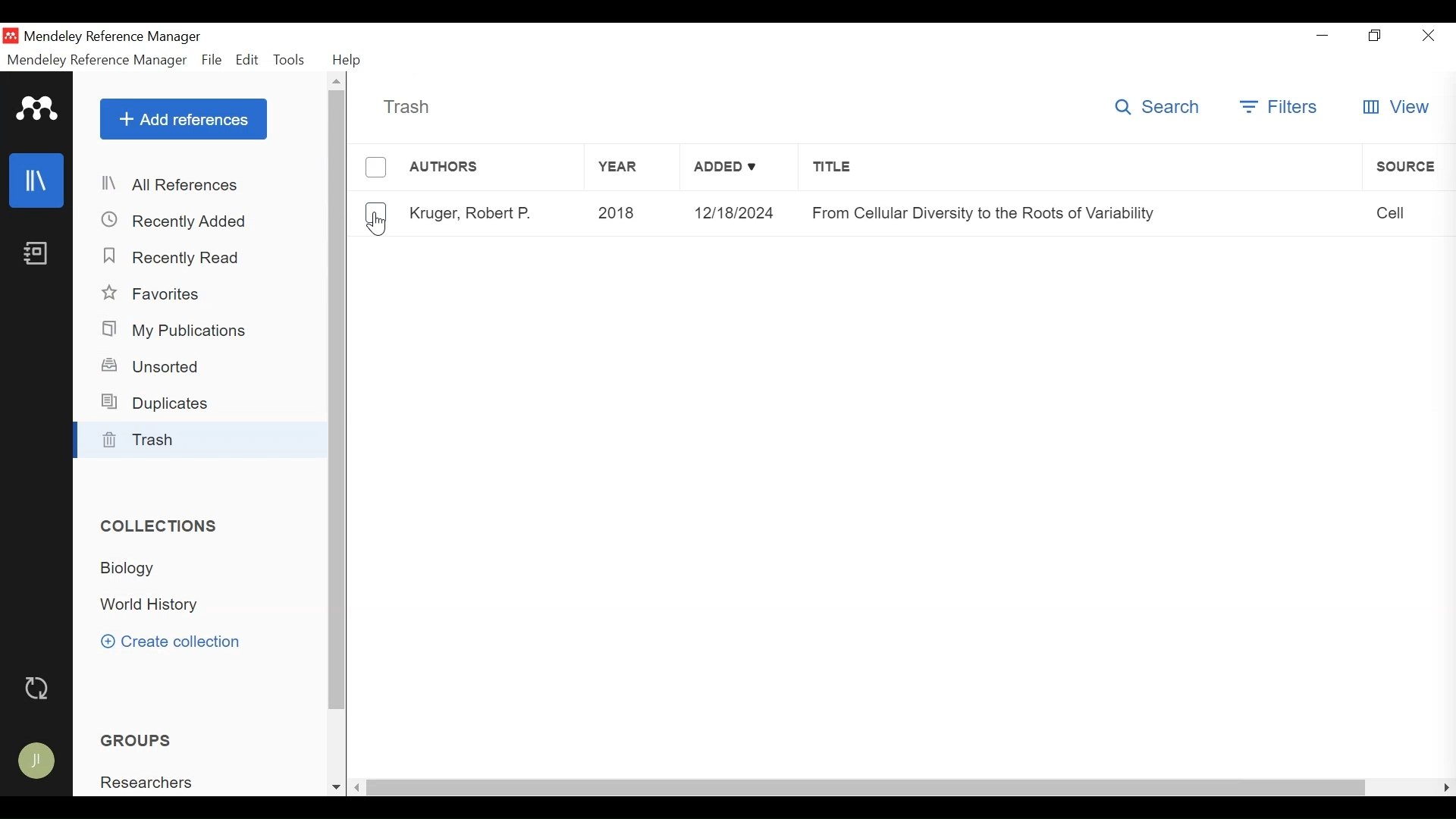 Image resolution: width=1456 pixels, height=819 pixels. What do you see at coordinates (38, 179) in the screenshot?
I see `Library` at bounding box center [38, 179].